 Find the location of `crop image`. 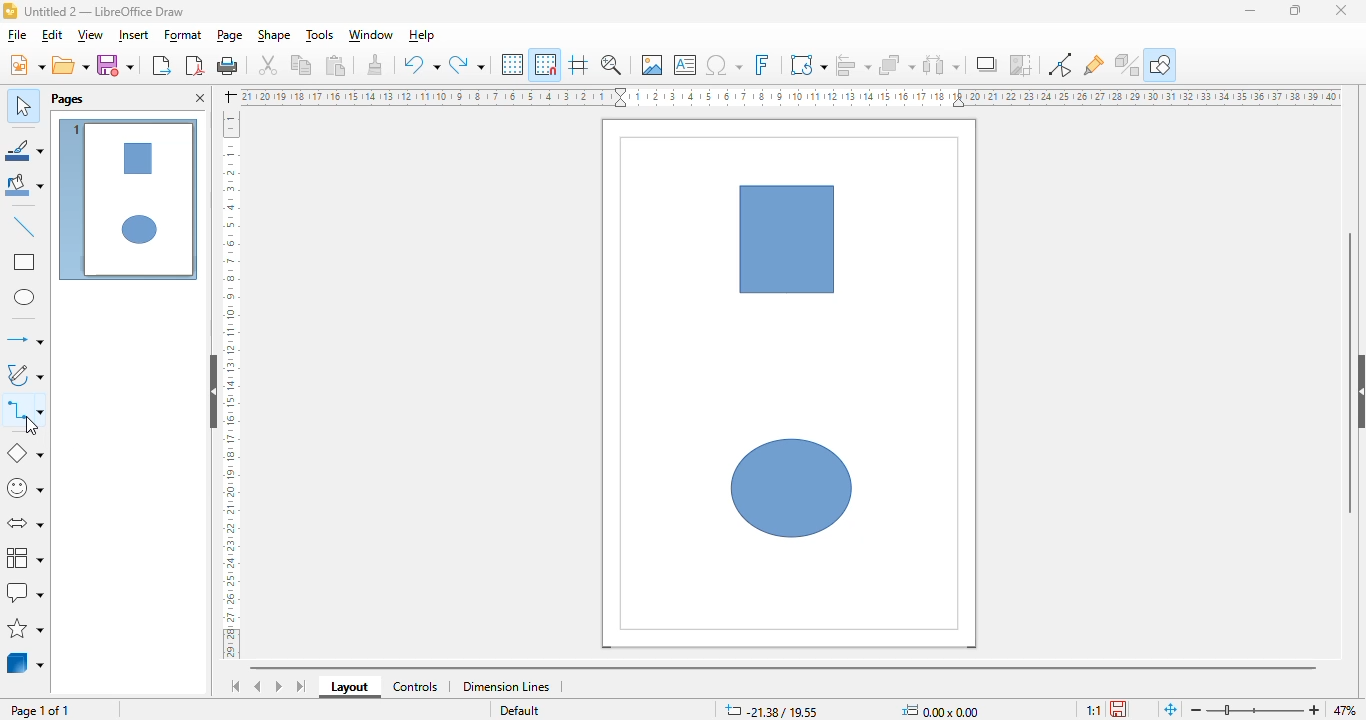

crop image is located at coordinates (1020, 65).